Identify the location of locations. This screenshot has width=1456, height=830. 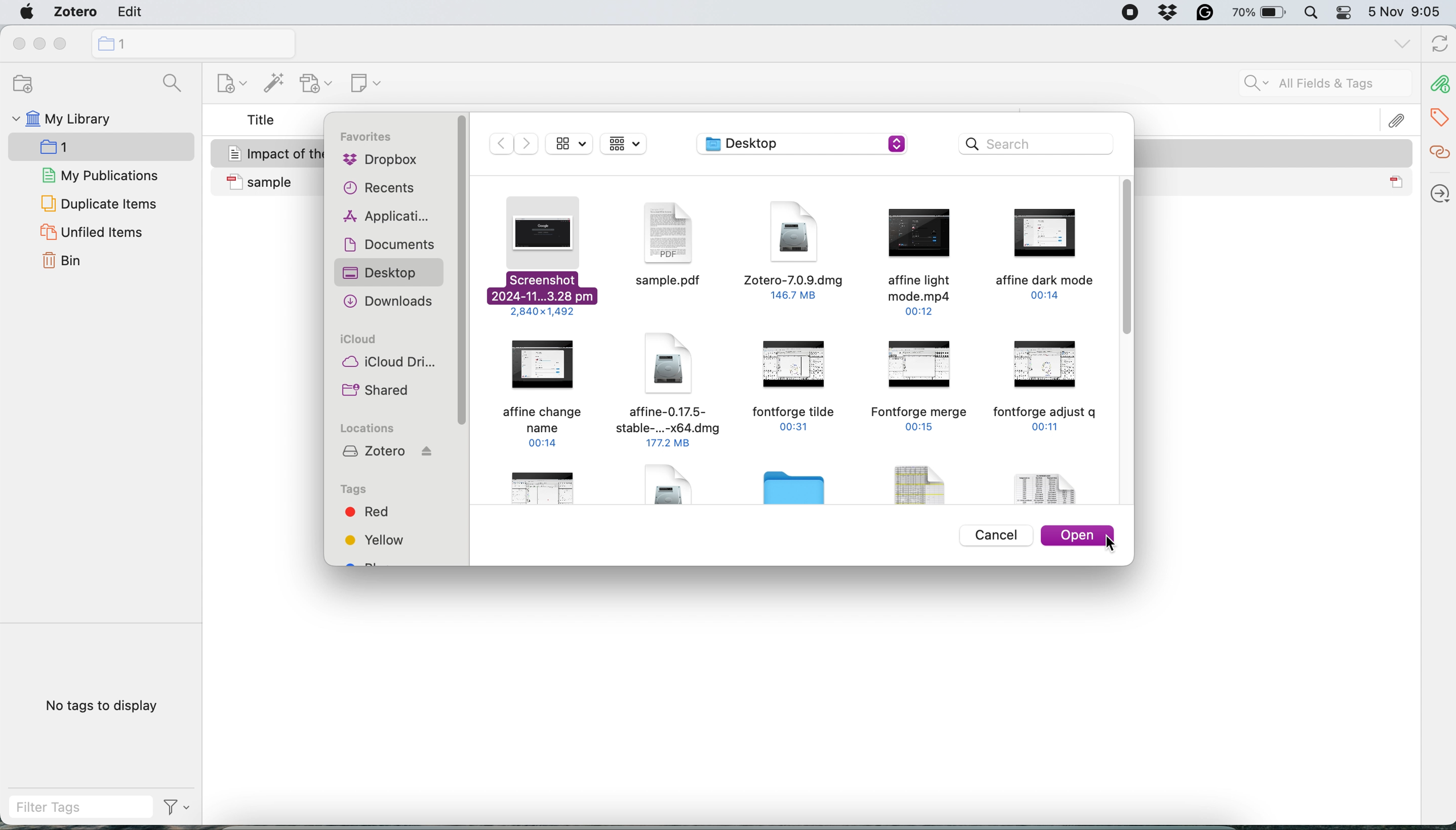
(372, 429).